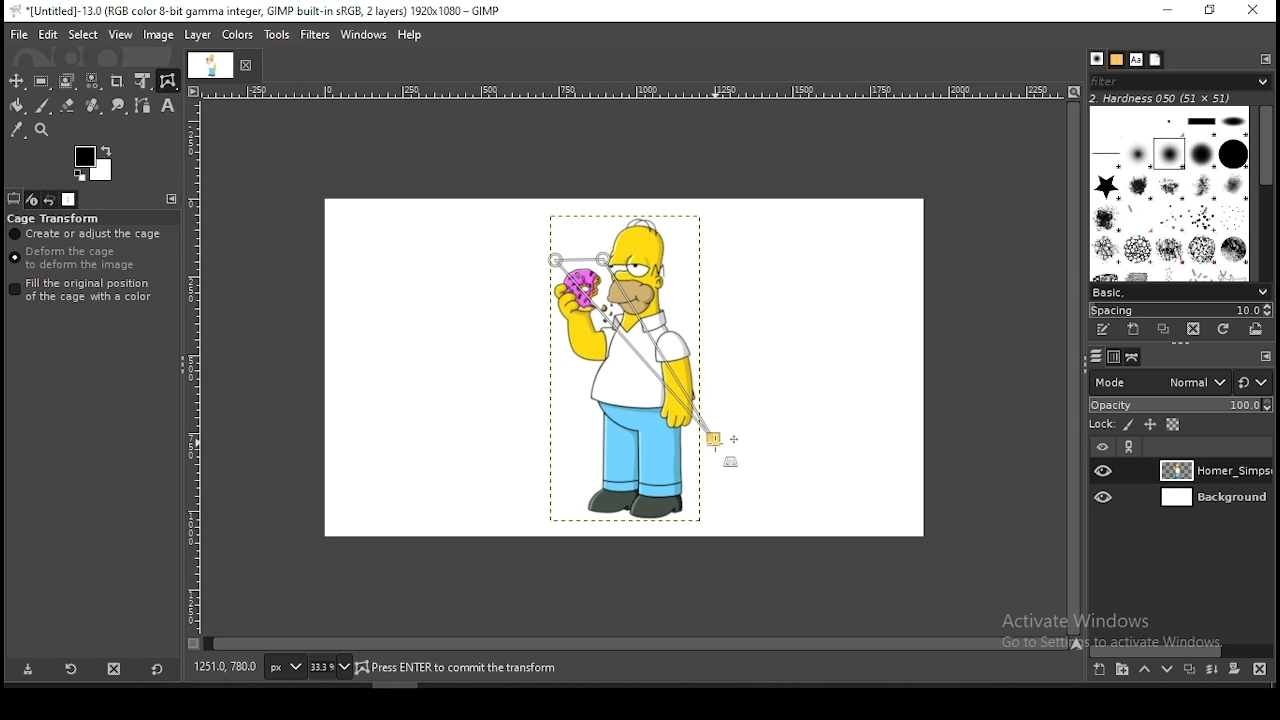 Image resolution: width=1280 pixels, height=720 pixels. What do you see at coordinates (1116, 60) in the screenshot?
I see `patterns` at bounding box center [1116, 60].